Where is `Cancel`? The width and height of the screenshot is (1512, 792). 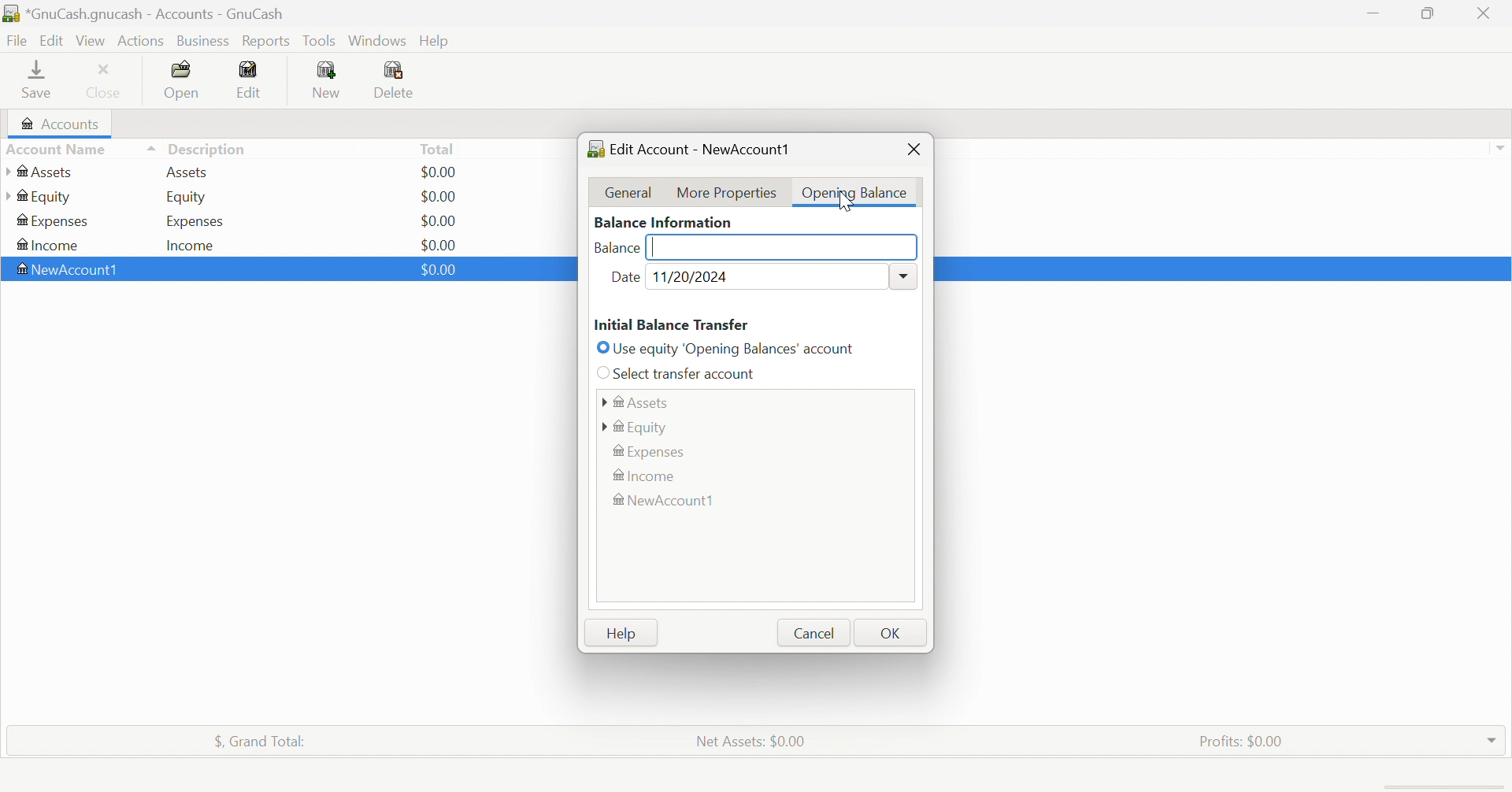
Cancel is located at coordinates (813, 634).